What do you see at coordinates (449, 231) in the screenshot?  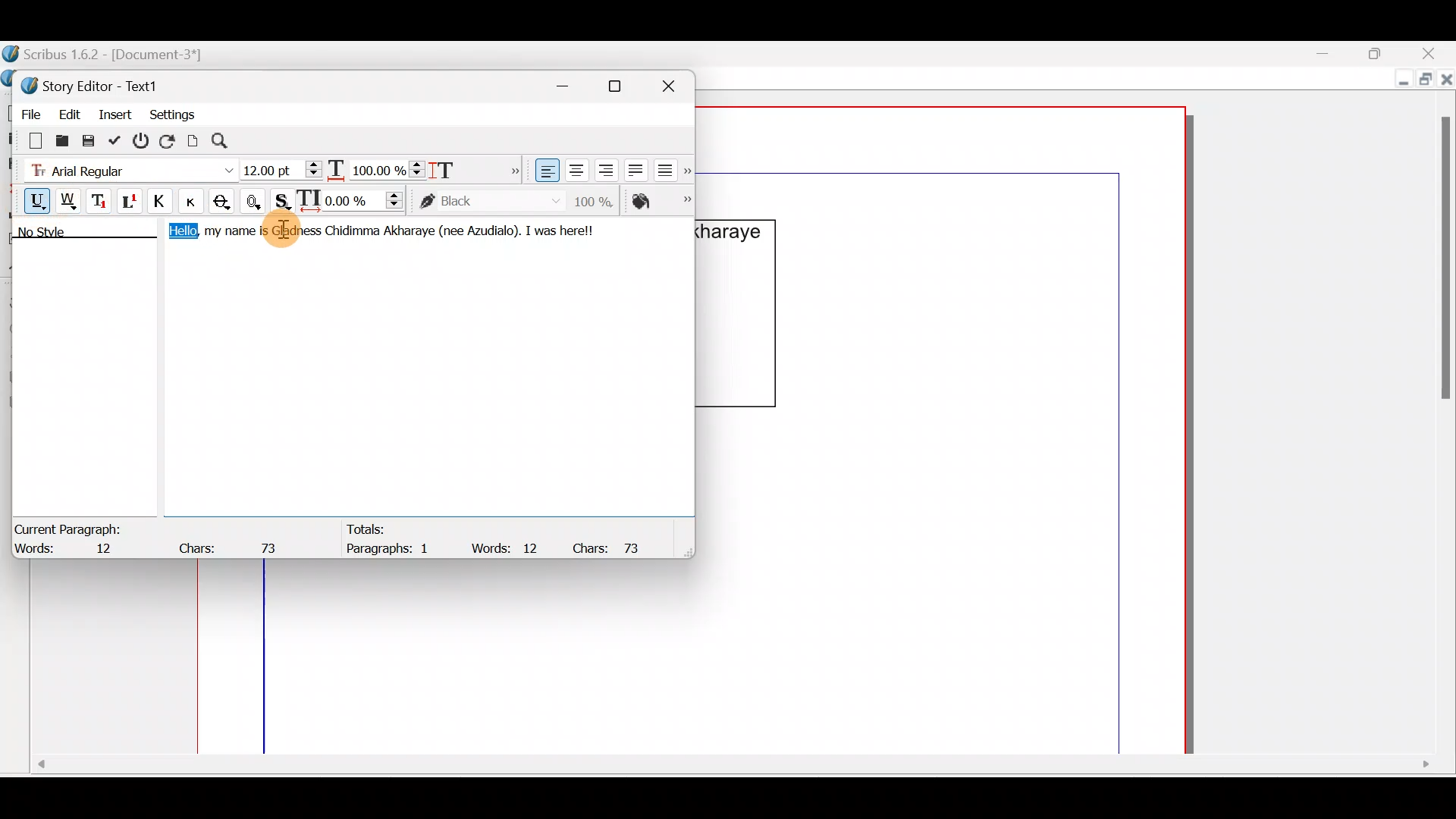 I see `(nee` at bounding box center [449, 231].